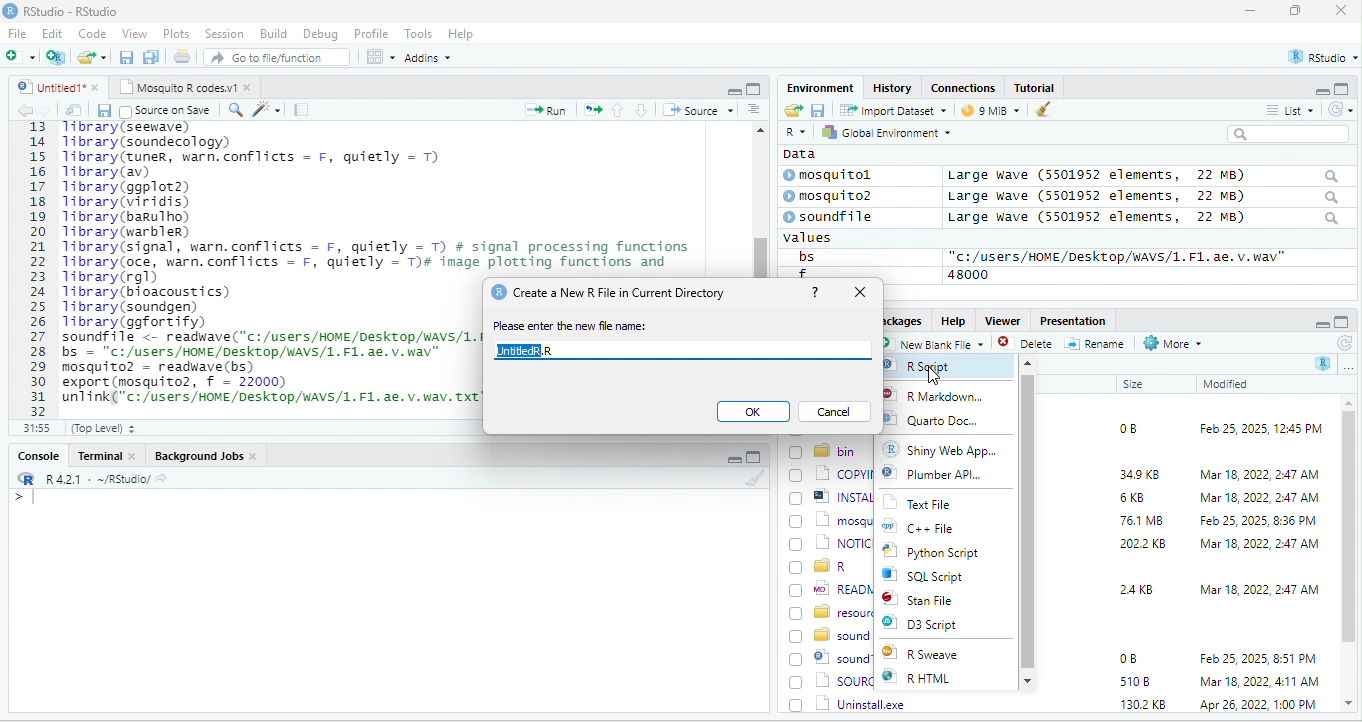 This screenshot has height=722, width=1362. What do you see at coordinates (816, 290) in the screenshot?
I see `?` at bounding box center [816, 290].